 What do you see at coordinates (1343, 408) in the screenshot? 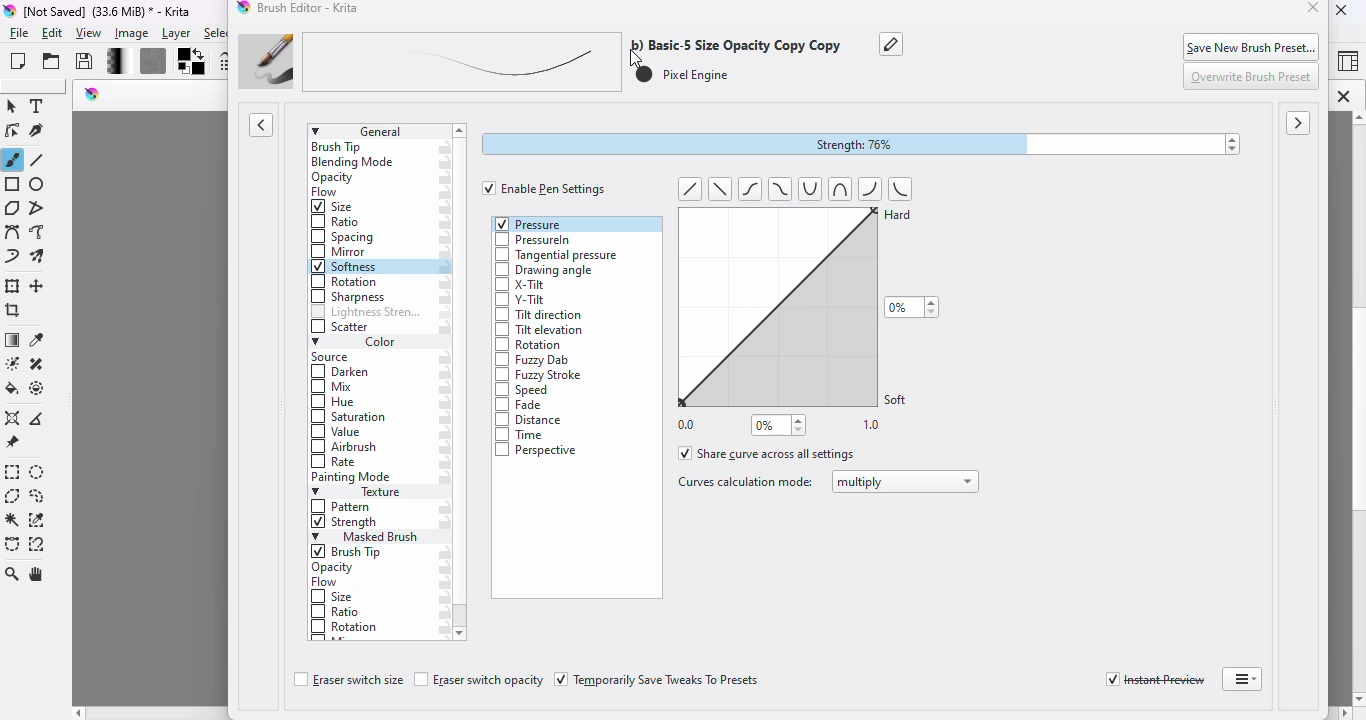
I see `vertical scroll bar` at bounding box center [1343, 408].